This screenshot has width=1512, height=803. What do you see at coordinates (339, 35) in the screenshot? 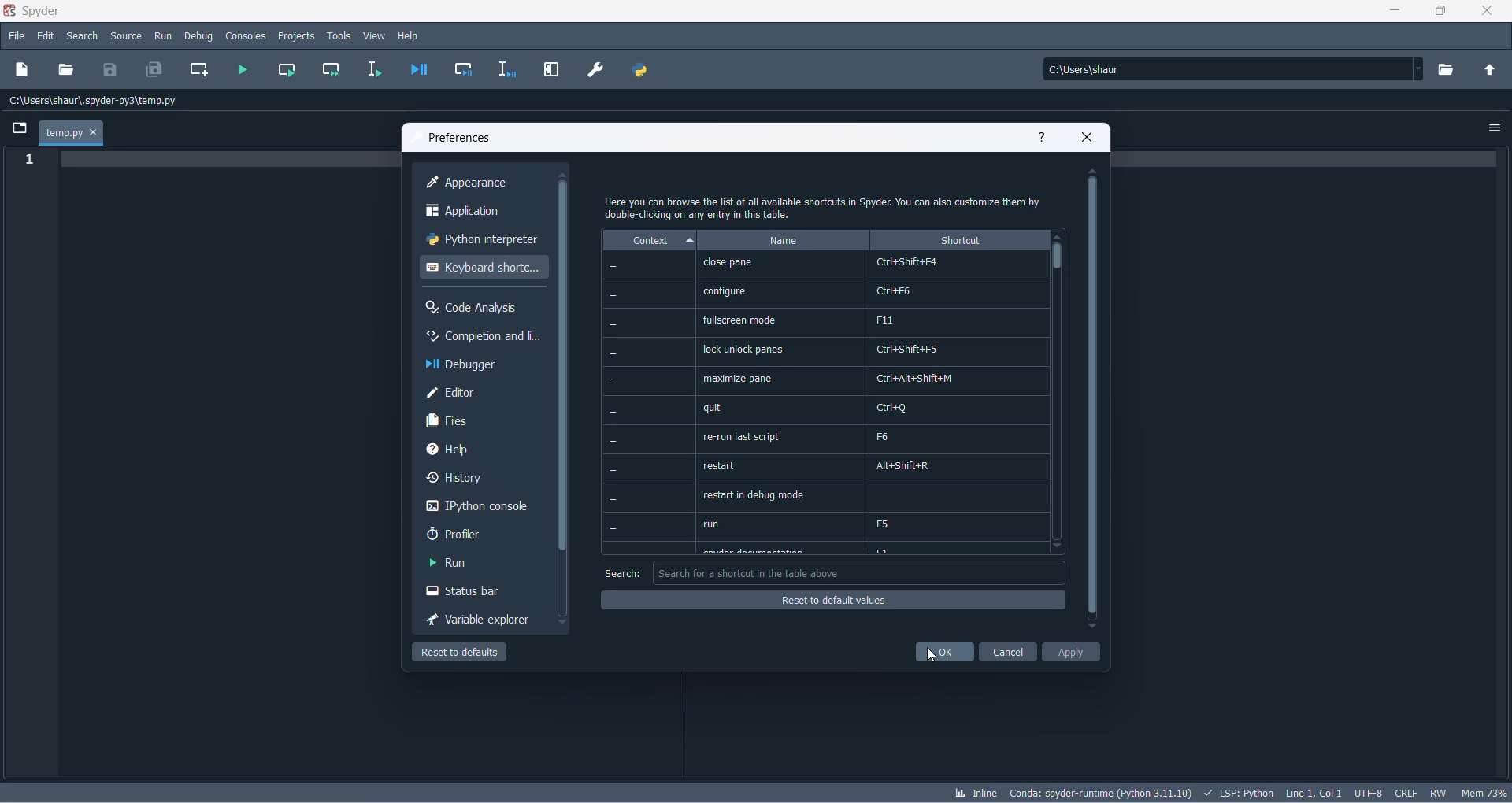
I see `tools` at bounding box center [339, 35].